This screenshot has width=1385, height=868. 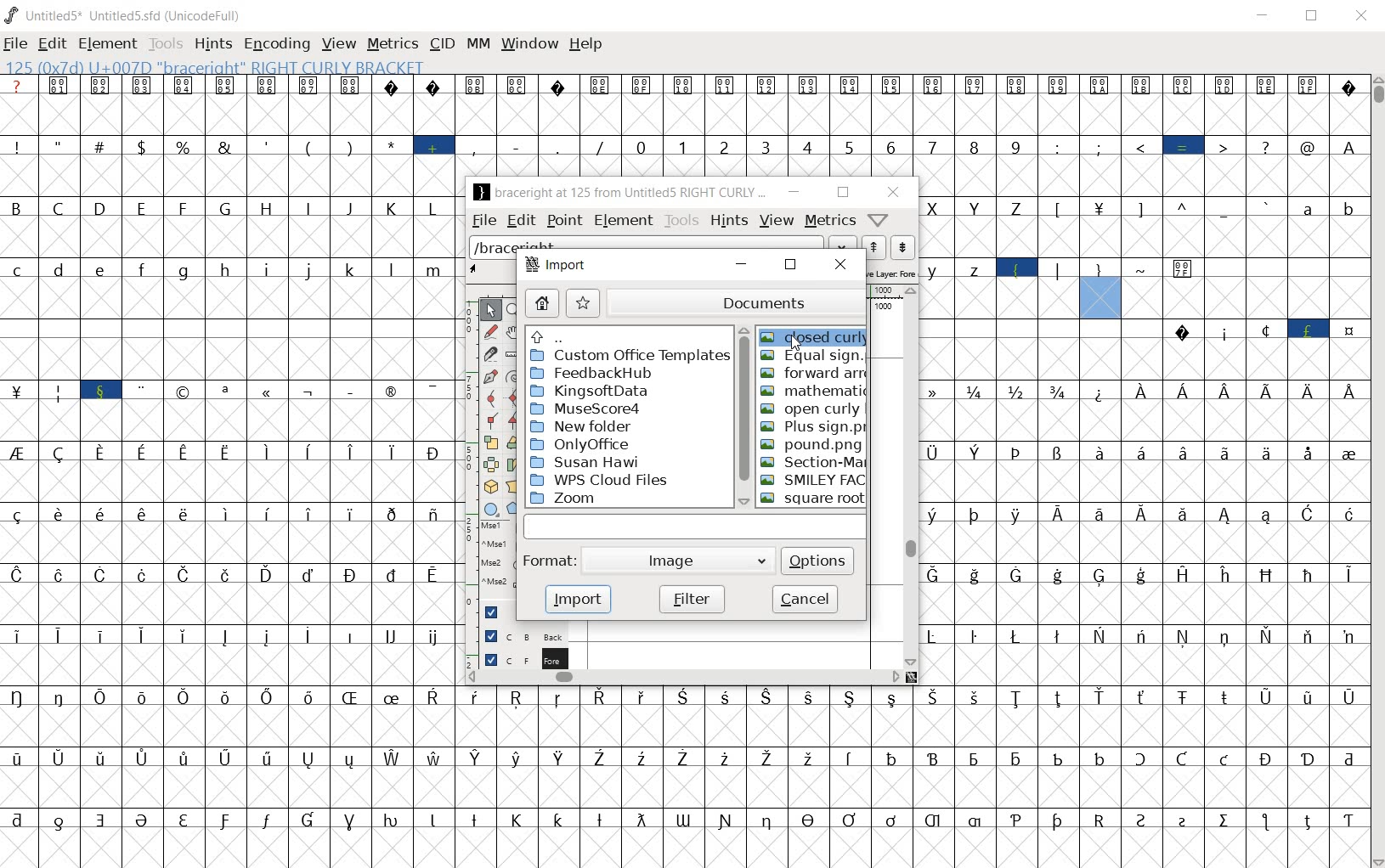 I want to click on restore down, so click(x=843, y=192).